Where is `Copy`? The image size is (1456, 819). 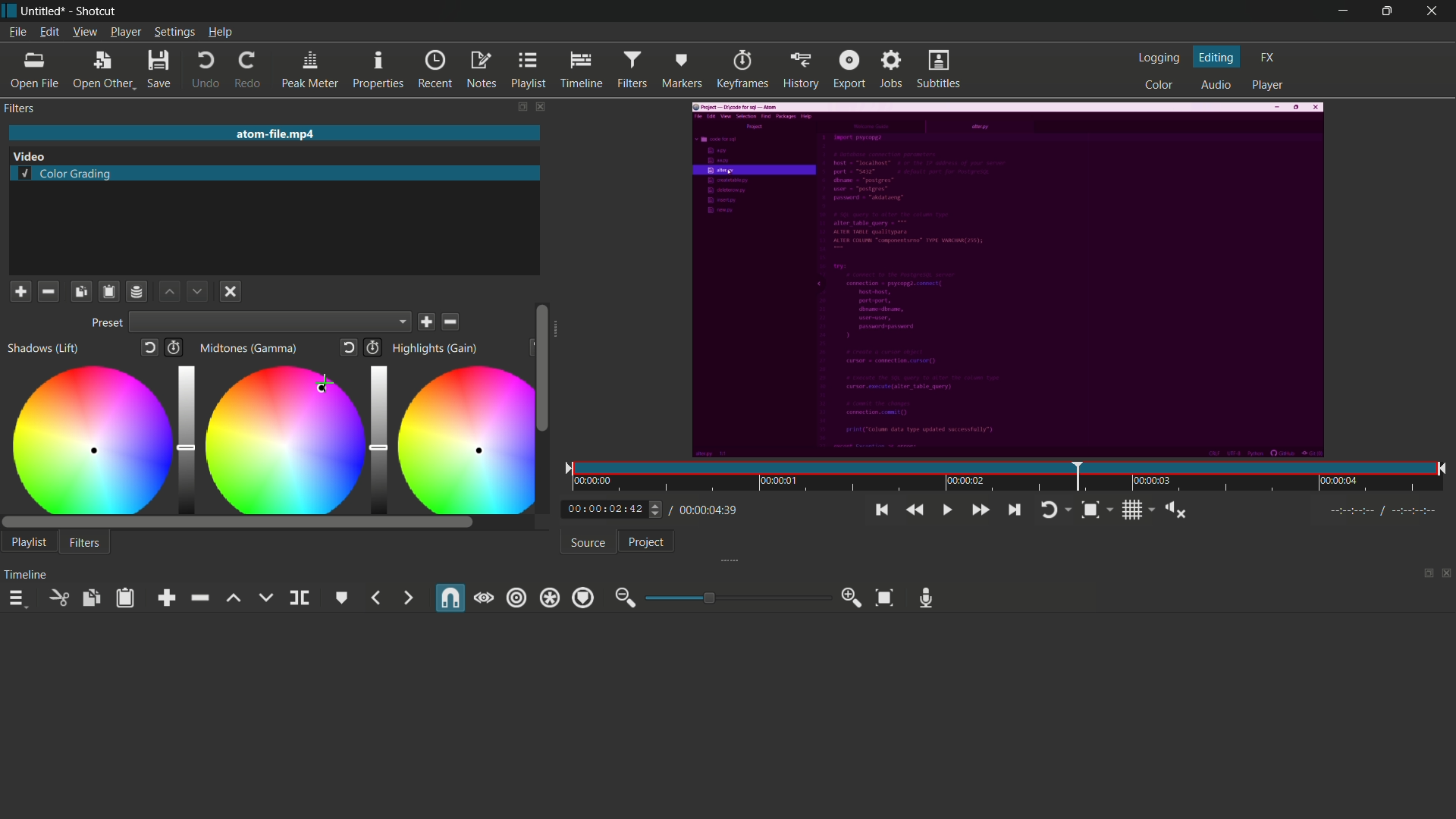 Copy is located at coordinates (81, 290).